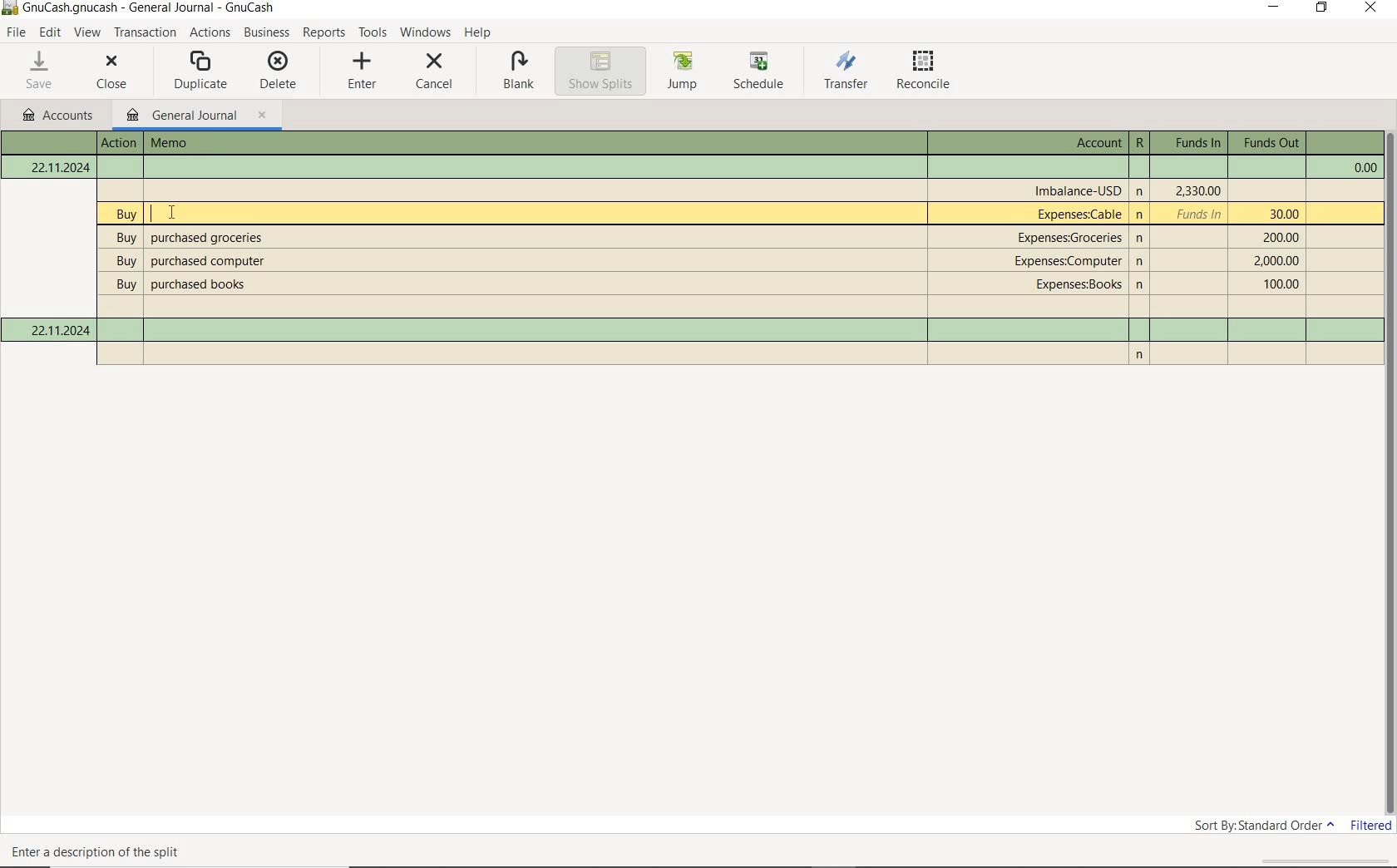  Describe the element at coordinates (359, 72) in the screenshot. I see `enter` at that location.